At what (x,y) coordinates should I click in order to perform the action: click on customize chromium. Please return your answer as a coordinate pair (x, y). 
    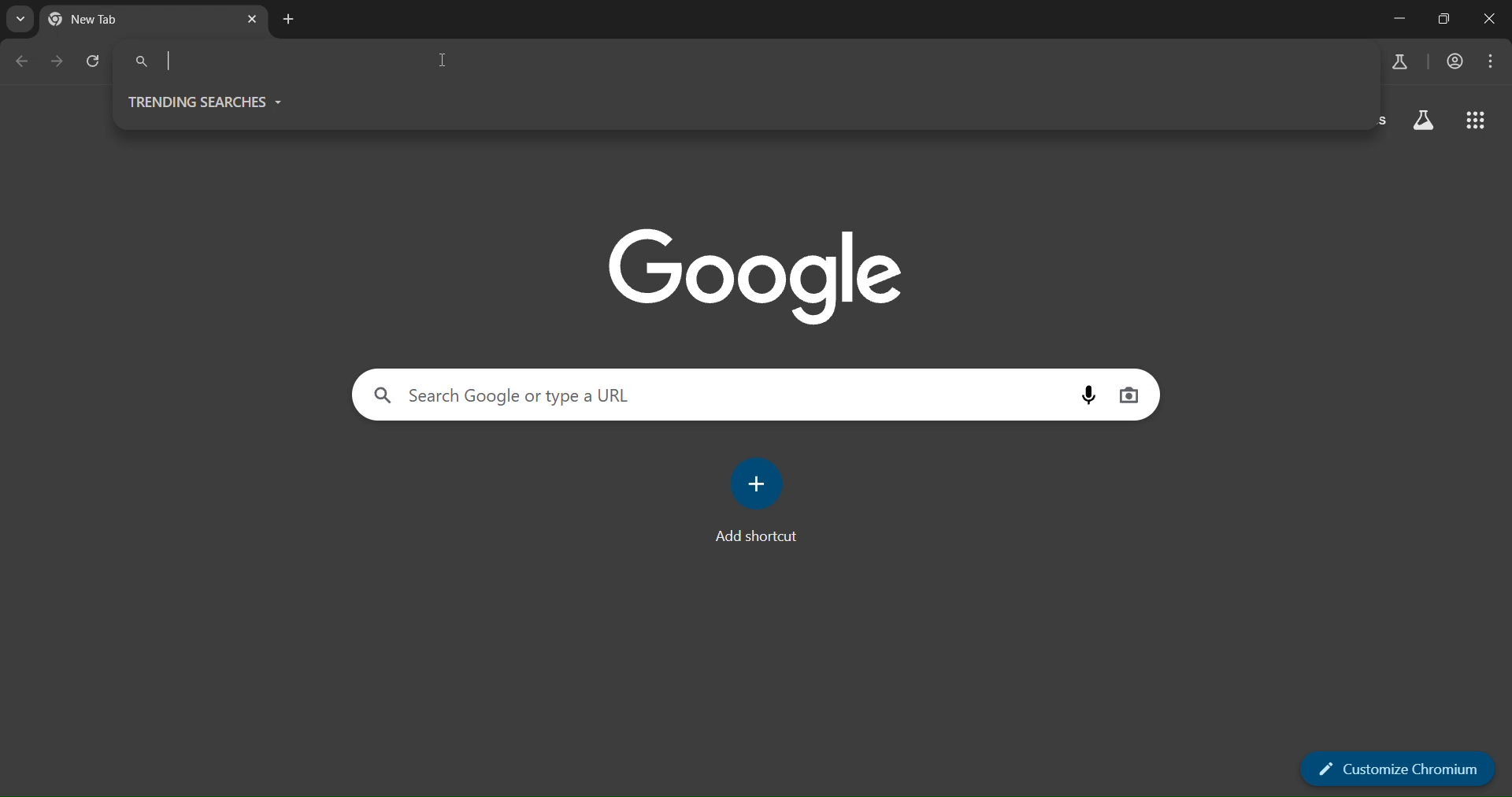
    Looking at the image, I should click on (1400, 768).